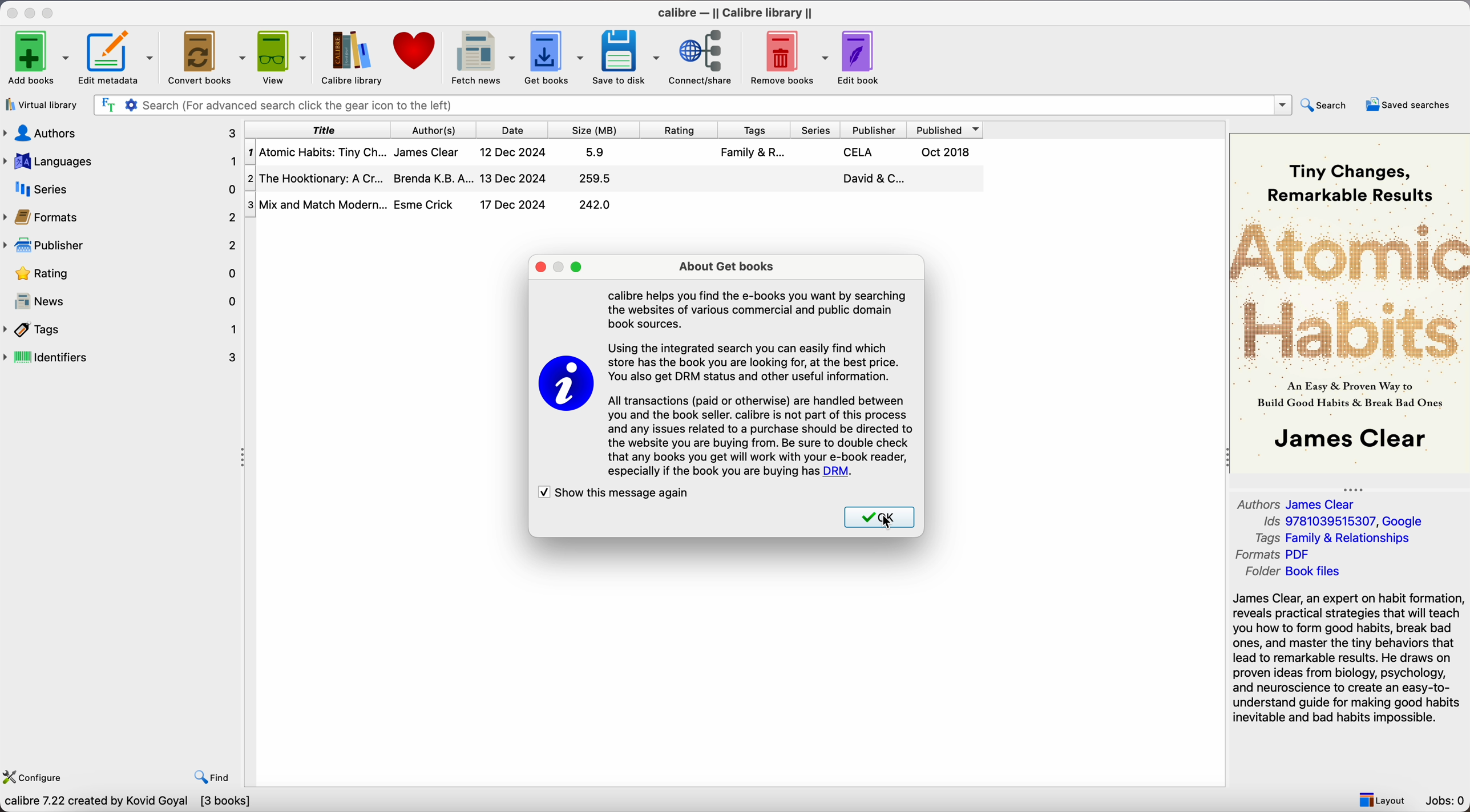 The height and width of the screenshot is (812, 1470). What do you see at coordinates (32, 11) in the screenshot?
I see `minimize app` at bounding box center [32, 11].